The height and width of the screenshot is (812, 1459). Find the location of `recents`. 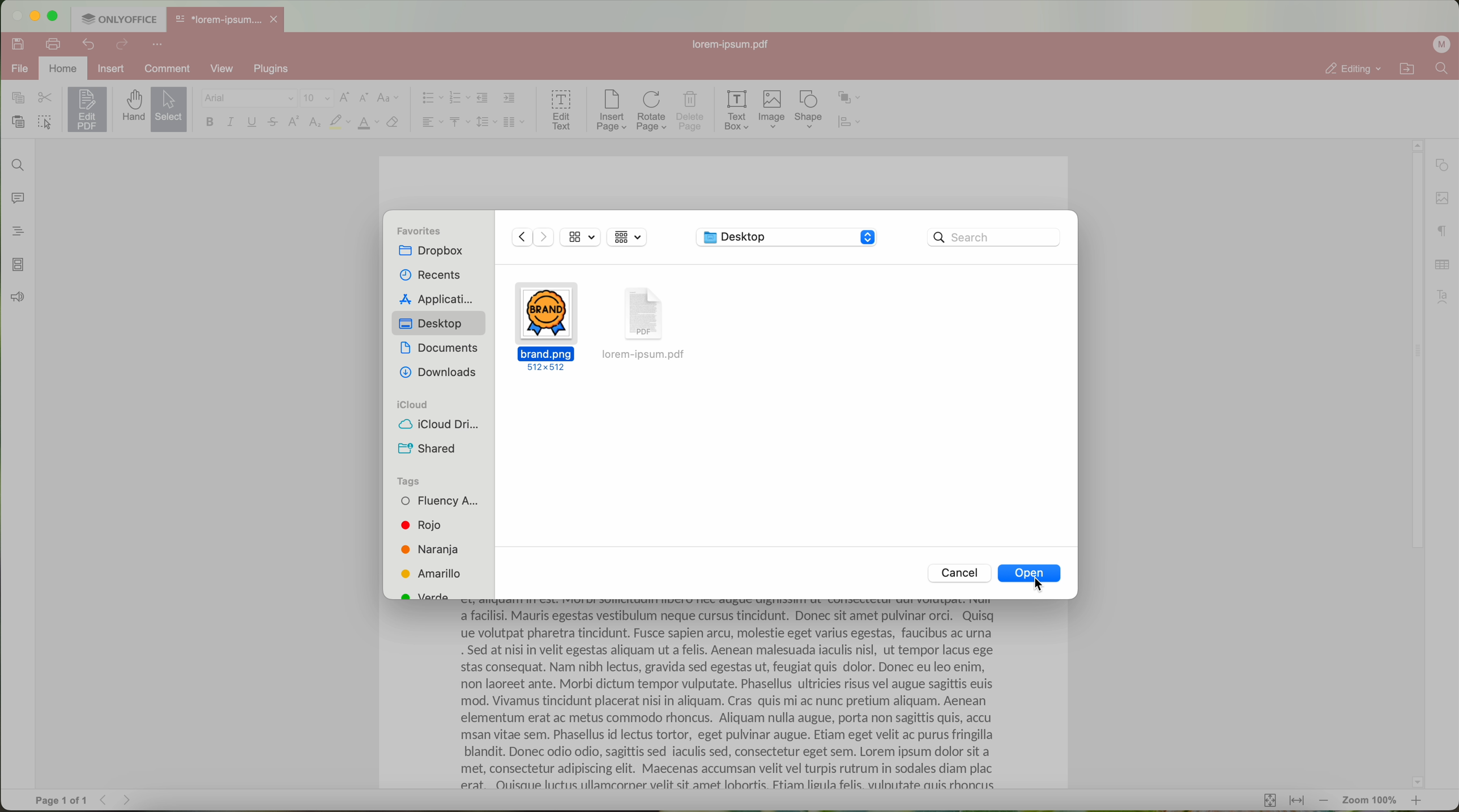

recents is located at coordinates (429, 275).